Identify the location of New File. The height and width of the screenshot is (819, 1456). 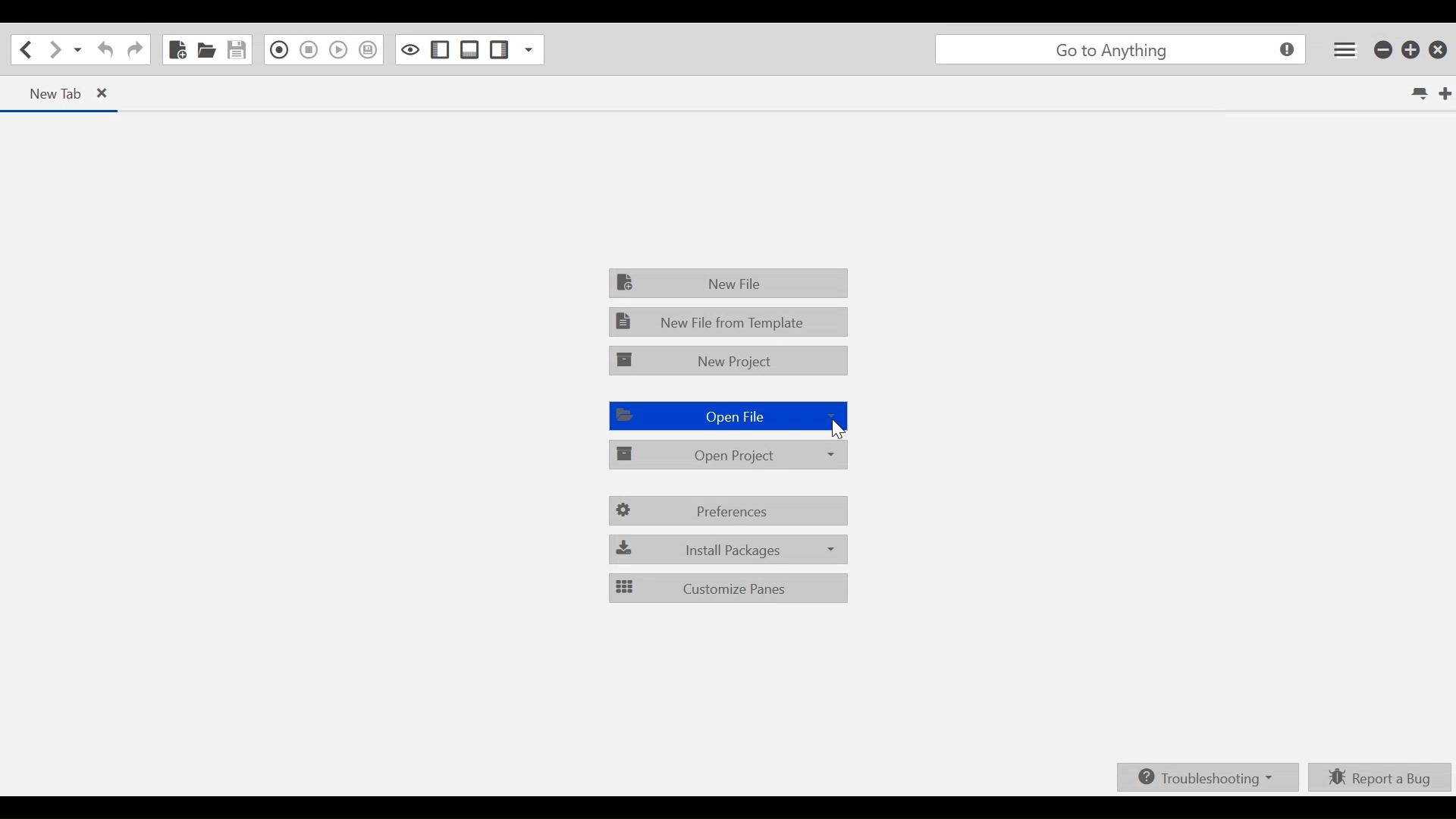
(178, 49).